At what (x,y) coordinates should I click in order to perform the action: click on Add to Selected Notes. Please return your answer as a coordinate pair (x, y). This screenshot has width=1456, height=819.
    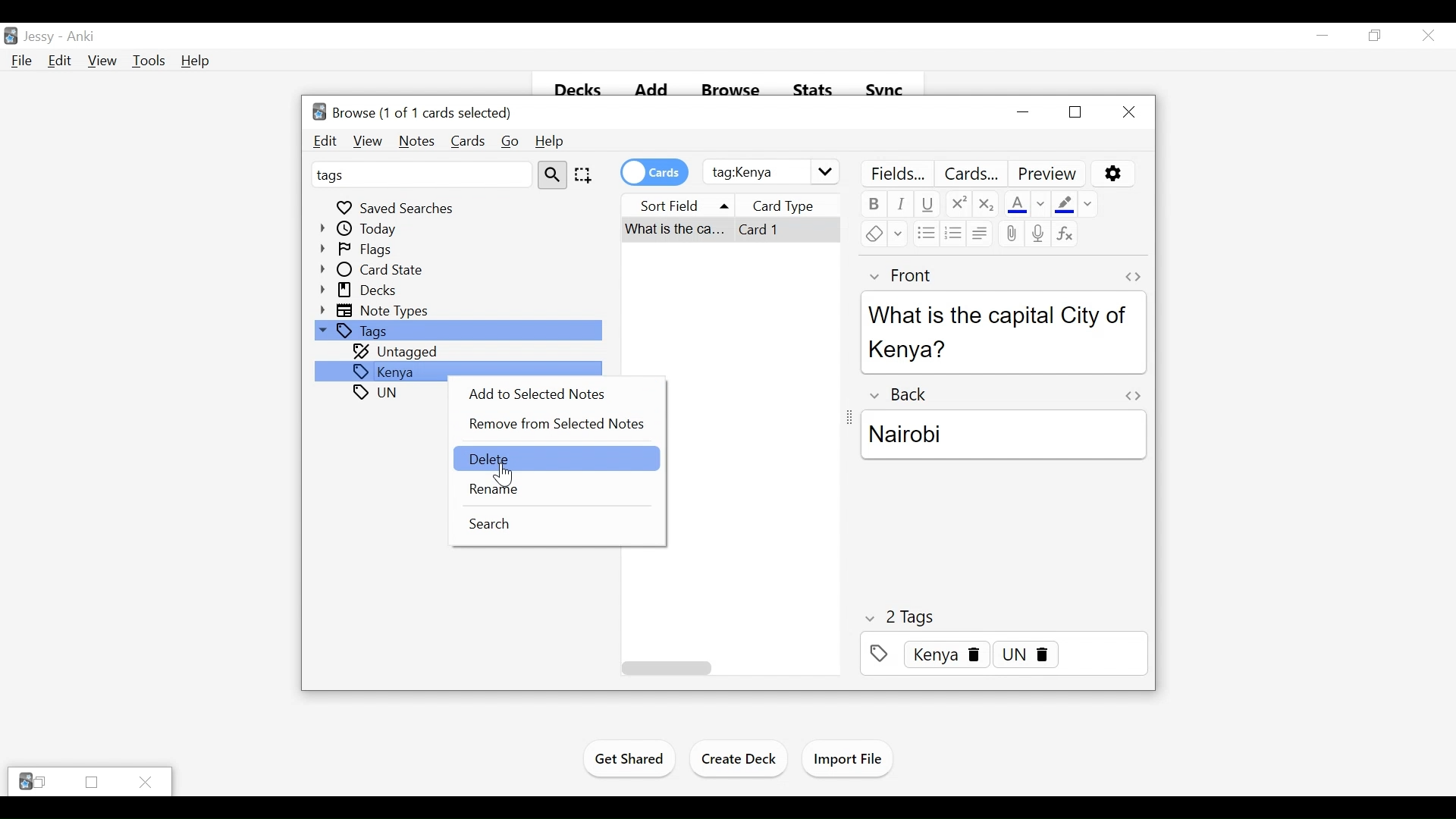
    Looking at the image, I should click on (535, 392).